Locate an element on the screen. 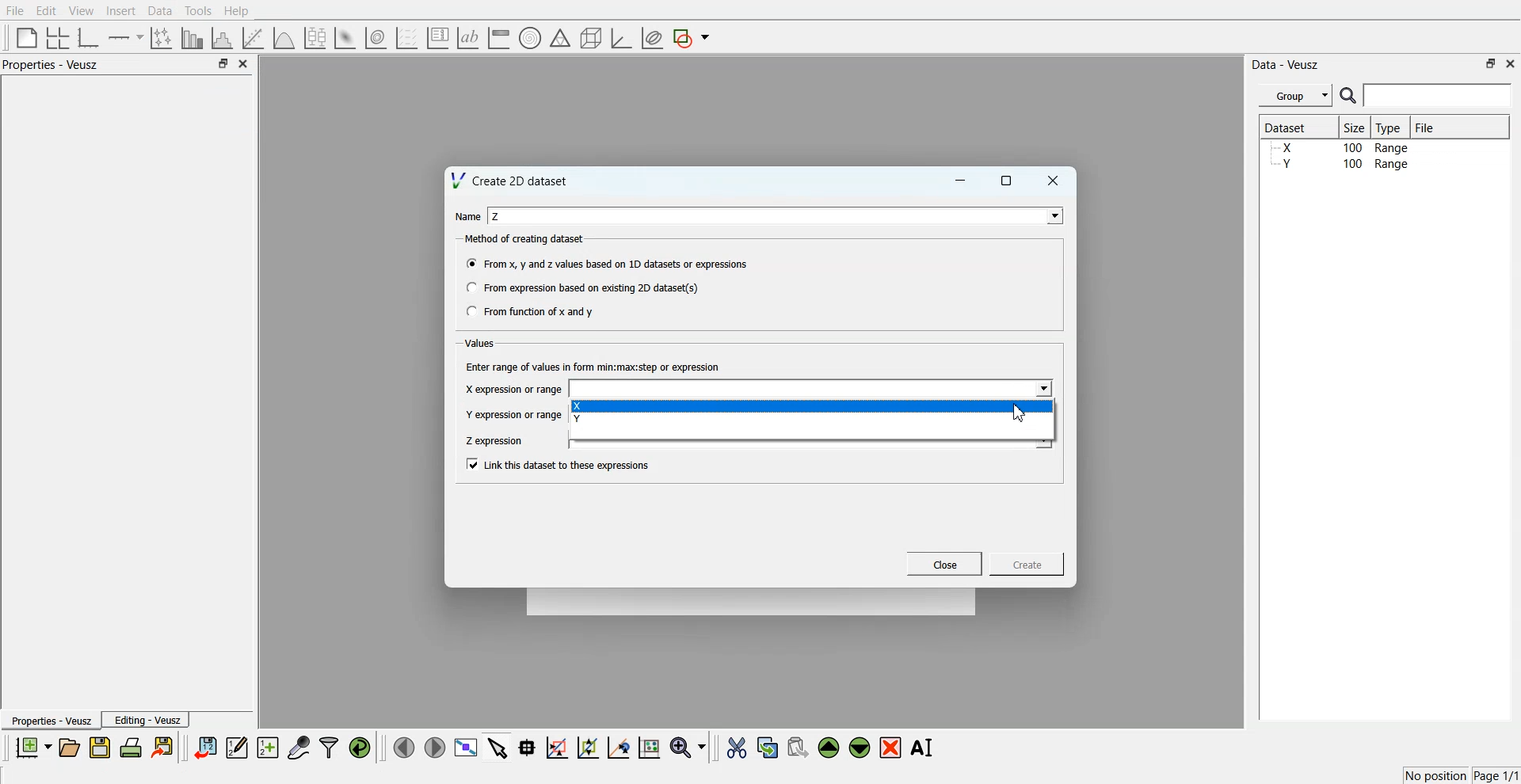 This screenshot has height=784, width=1521. Maximize is located at coordinates (223, 63).